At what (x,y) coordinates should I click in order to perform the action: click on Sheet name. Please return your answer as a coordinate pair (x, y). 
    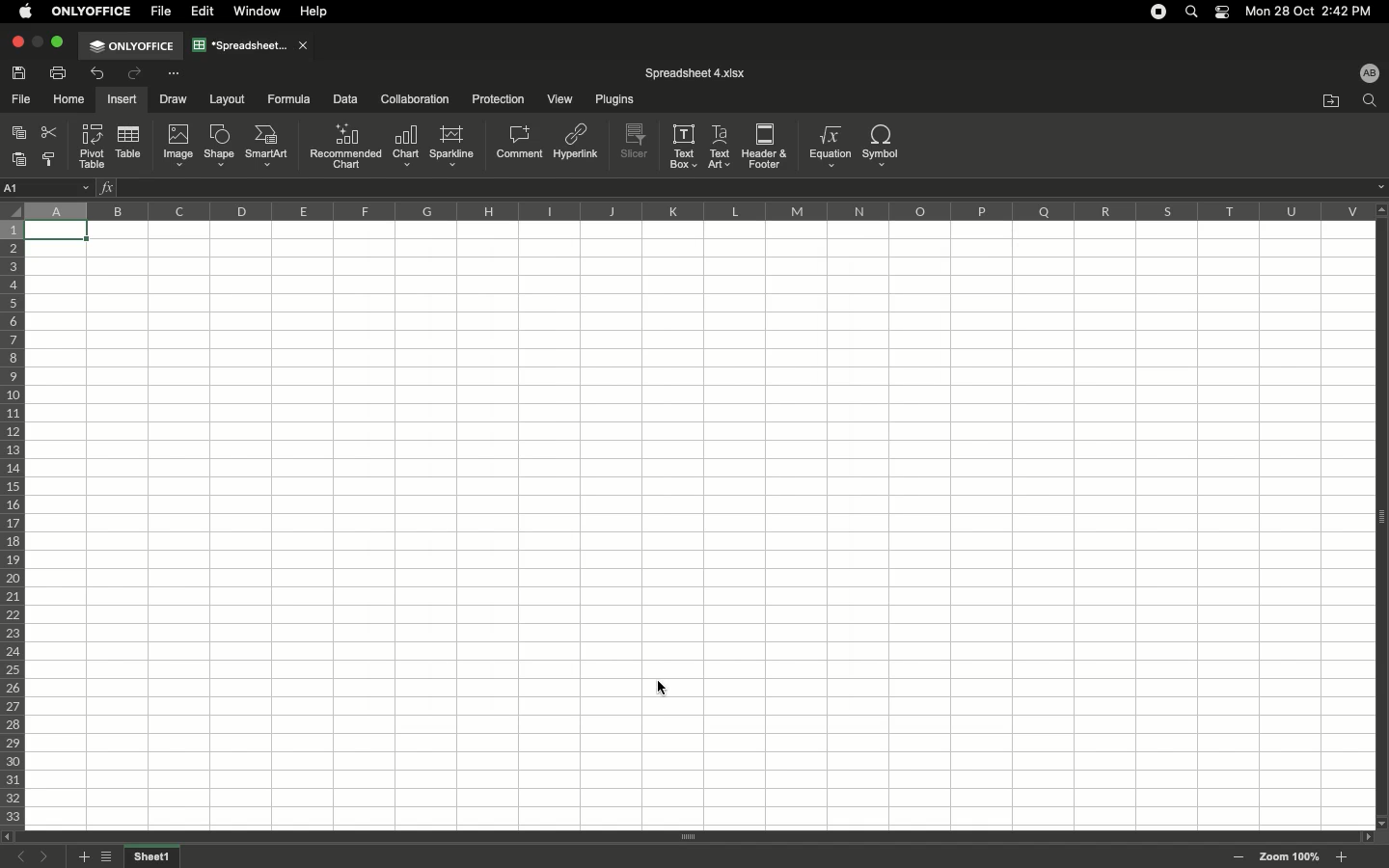
    Looking at the image, I should click on (154, 857).